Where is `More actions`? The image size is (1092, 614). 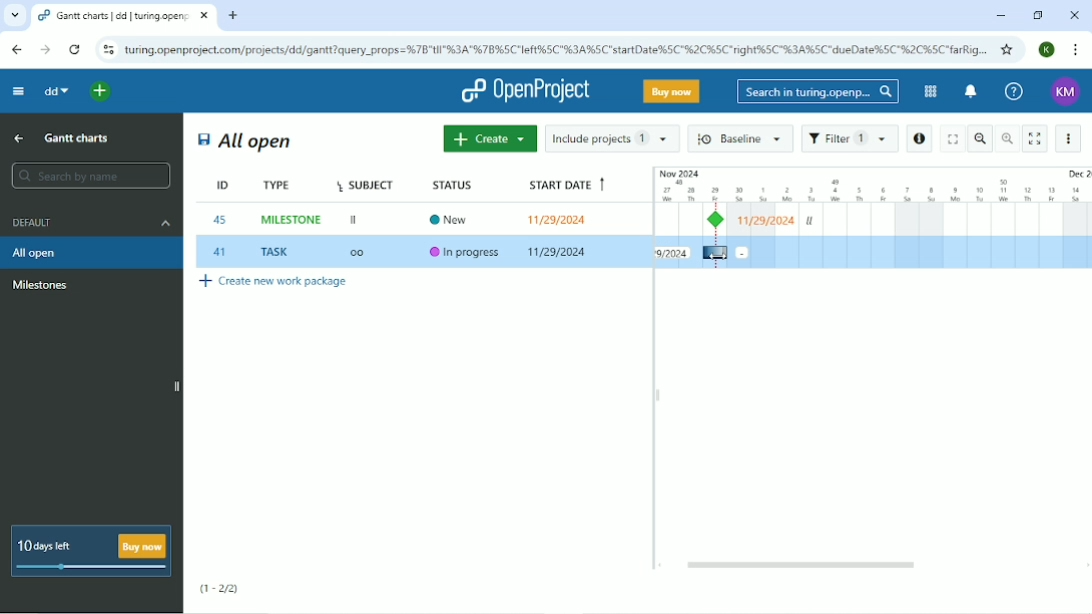 More actions is located at coordinates (1070, 138).